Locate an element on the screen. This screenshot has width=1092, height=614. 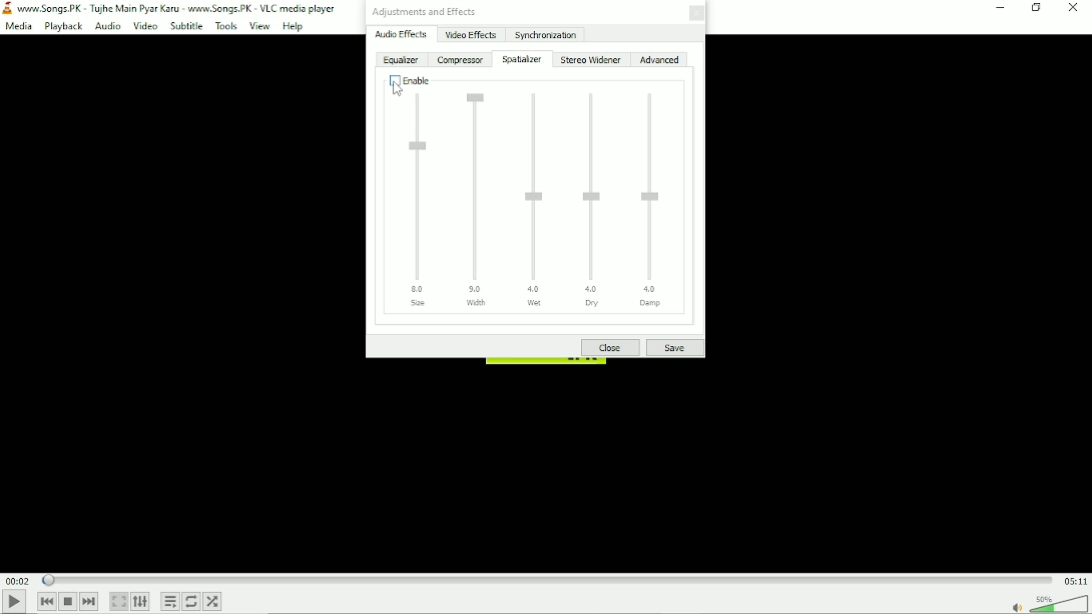
Spatializer is located at coordinates (522, 59).